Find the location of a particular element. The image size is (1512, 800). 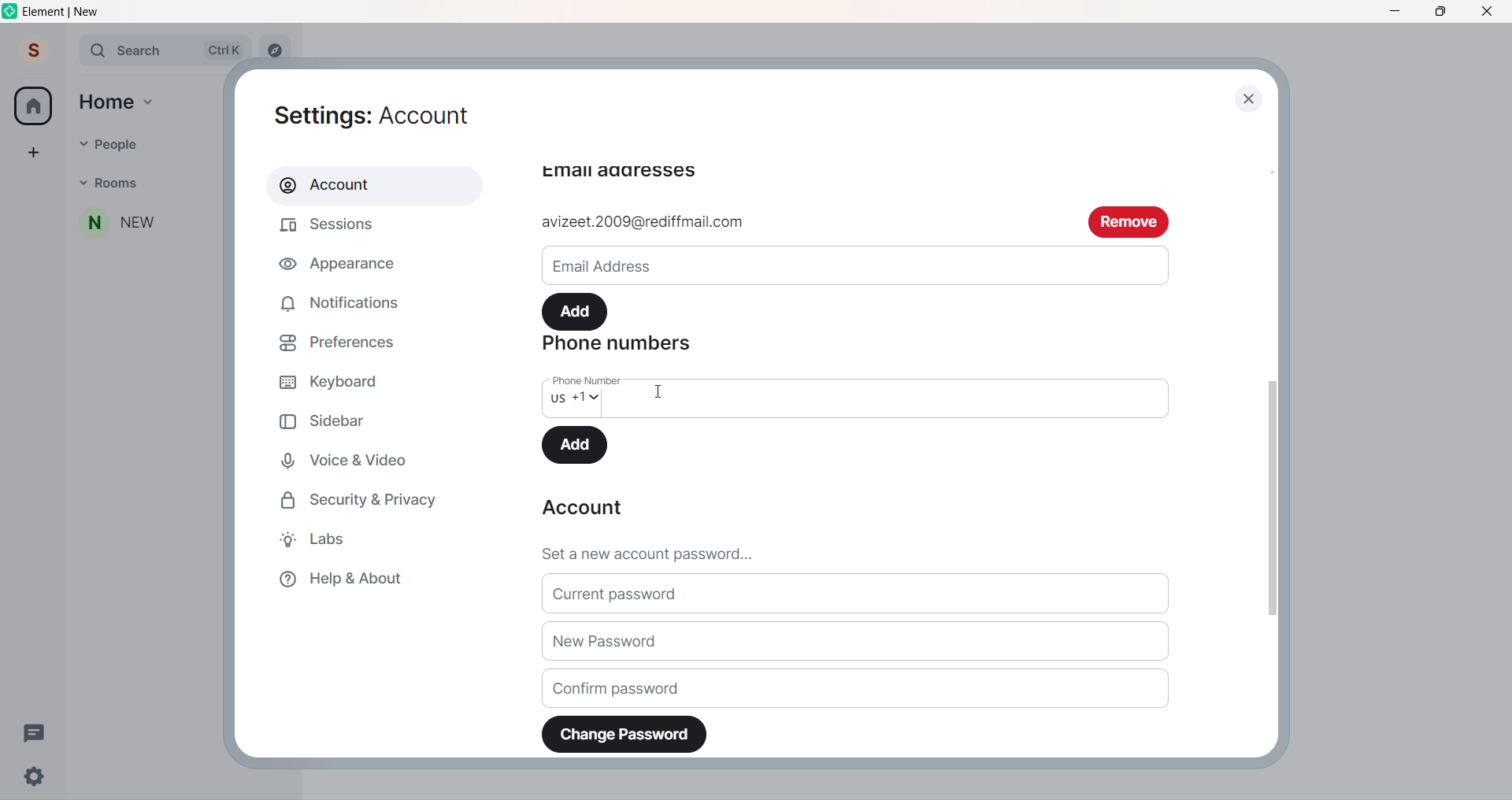

Search Bar is located at coordinates (164, 50).